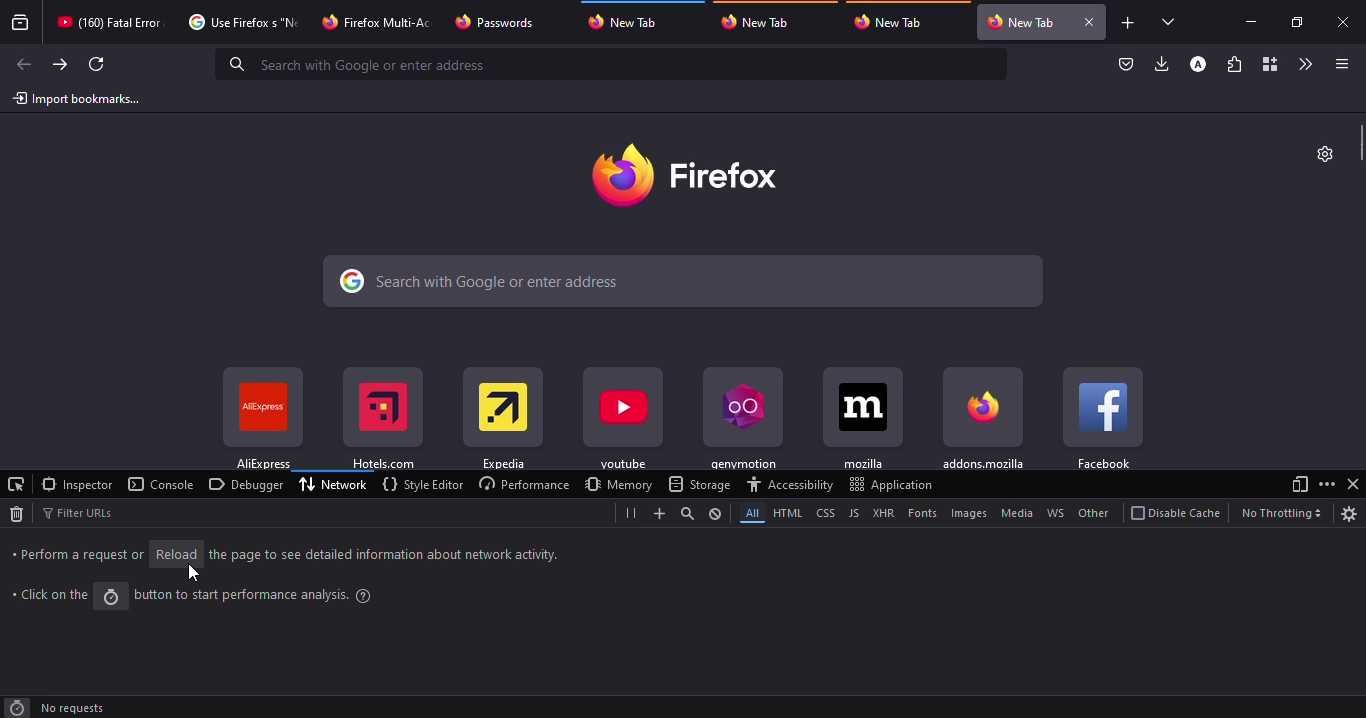  I want to click on images, so click(966, 514).